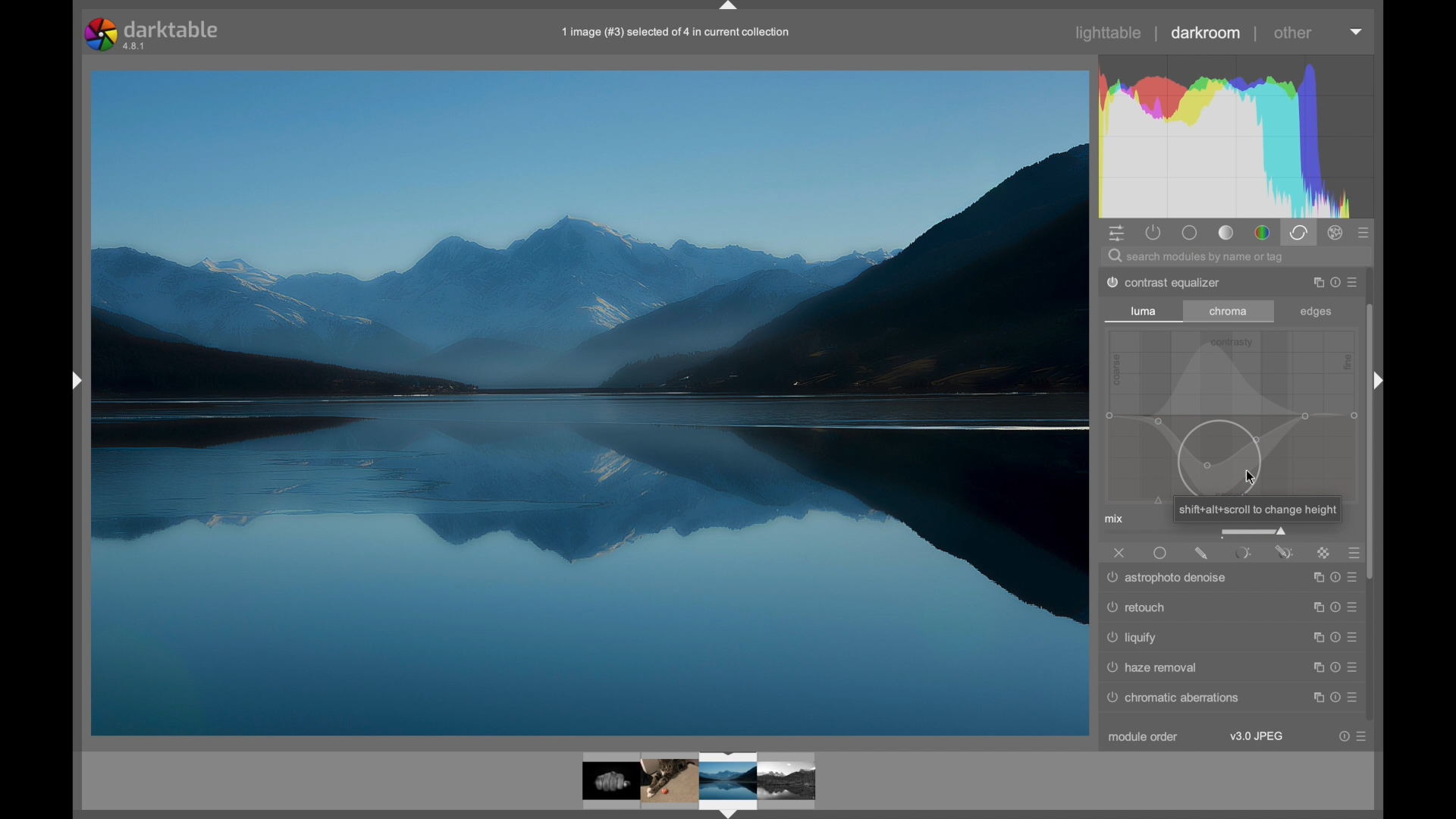 This screenshot has width=1456, height=819. Describe the element at coordinates (1150, 611) in the screenshot. I see `surface blur` at that location.